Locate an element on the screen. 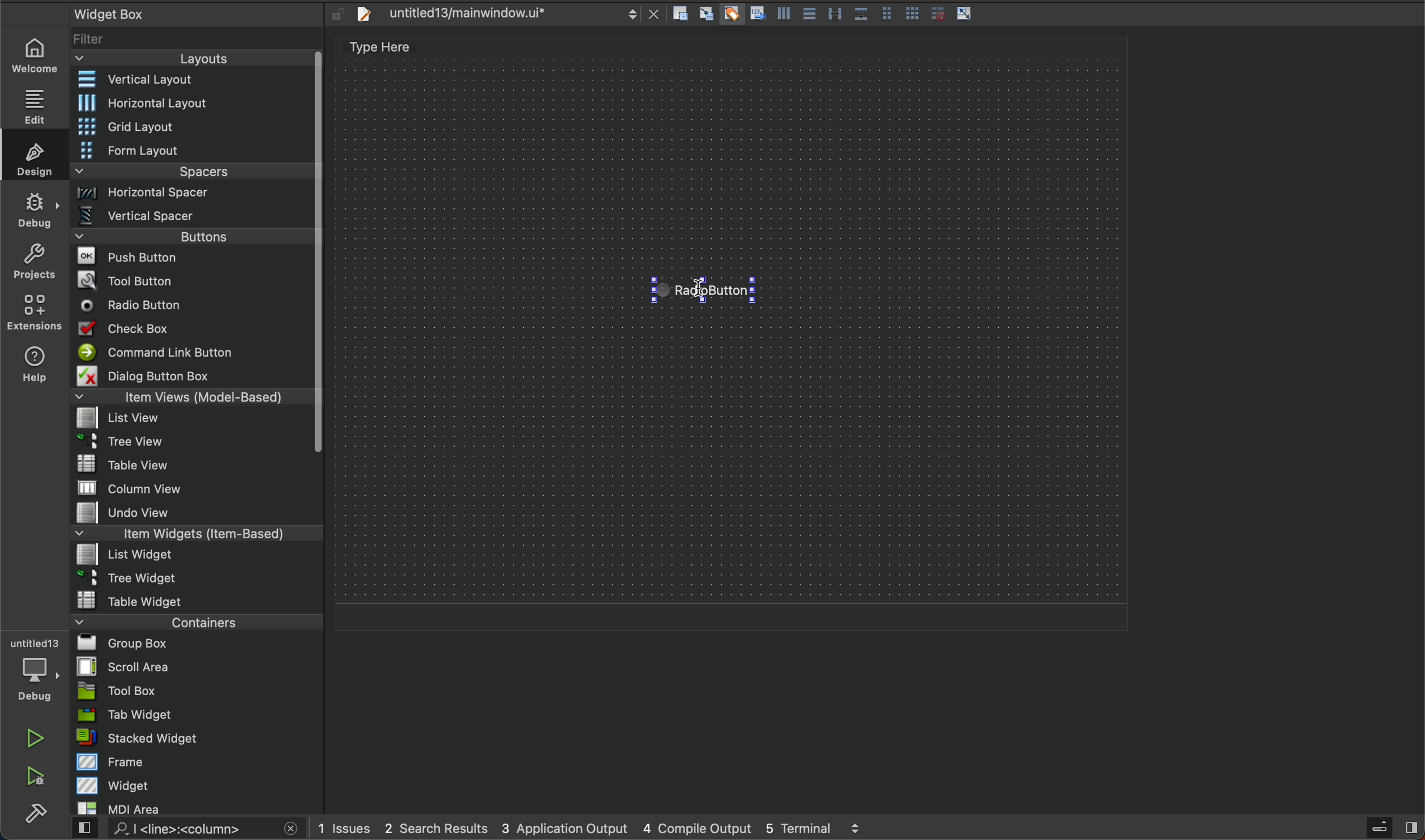 The height and width of the screenshot is (840, 1425). debug is located at coordinates (36, 209).